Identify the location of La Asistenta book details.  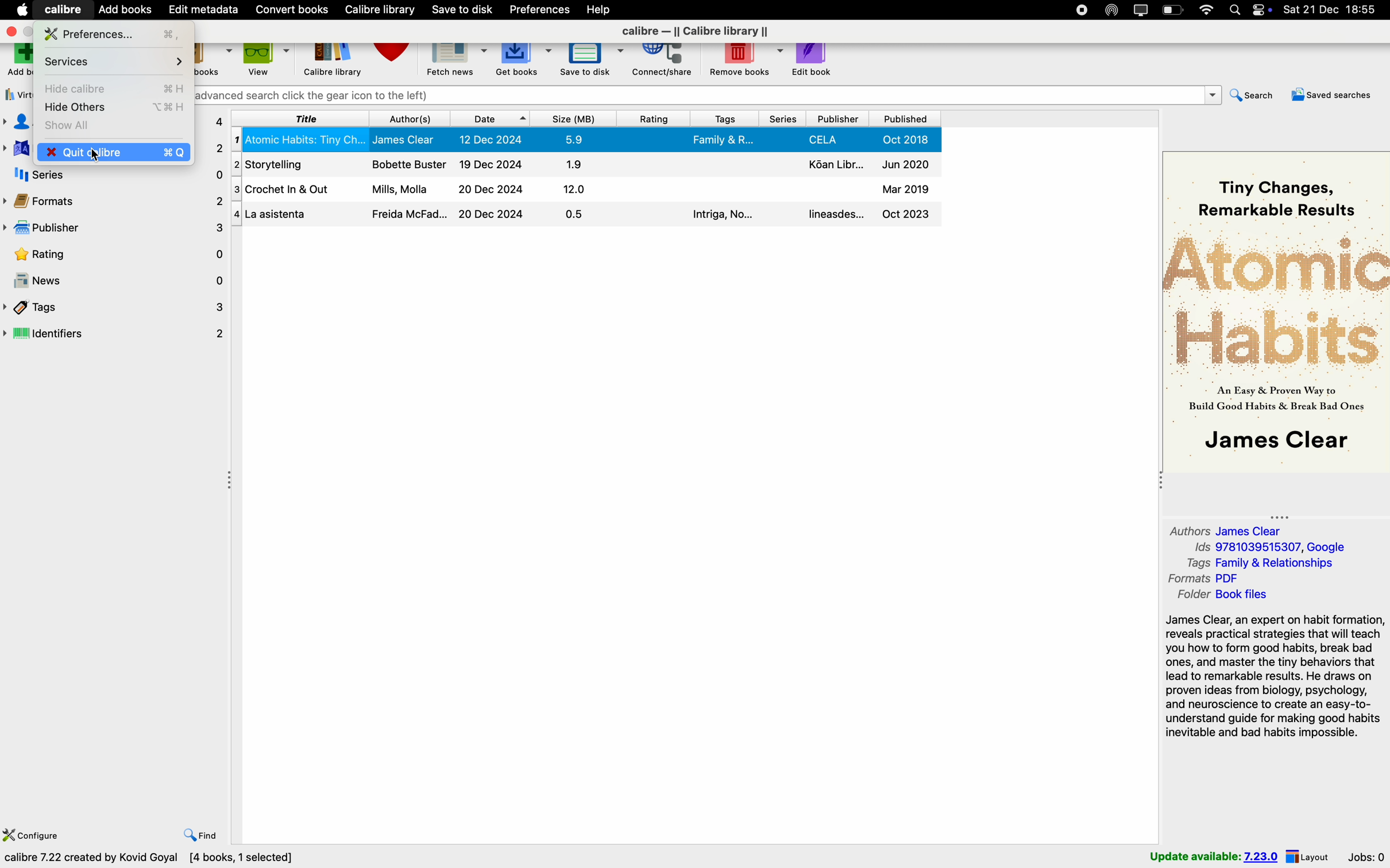
(586, 215).